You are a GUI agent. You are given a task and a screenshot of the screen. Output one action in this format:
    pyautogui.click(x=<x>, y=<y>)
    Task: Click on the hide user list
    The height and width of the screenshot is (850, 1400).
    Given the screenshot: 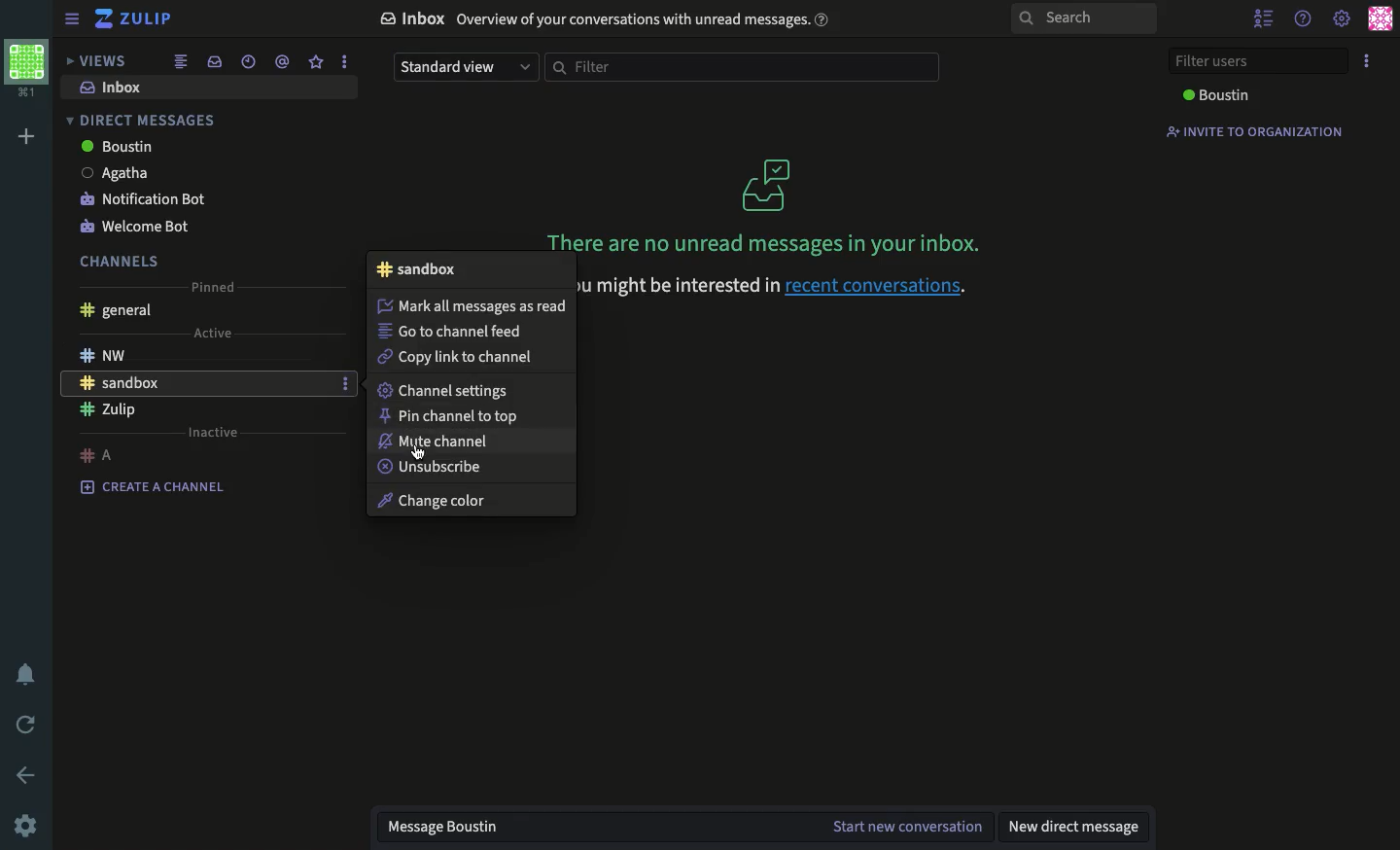 What is the action you would take?
    pyautogui.click(x=1266, y=18)
    